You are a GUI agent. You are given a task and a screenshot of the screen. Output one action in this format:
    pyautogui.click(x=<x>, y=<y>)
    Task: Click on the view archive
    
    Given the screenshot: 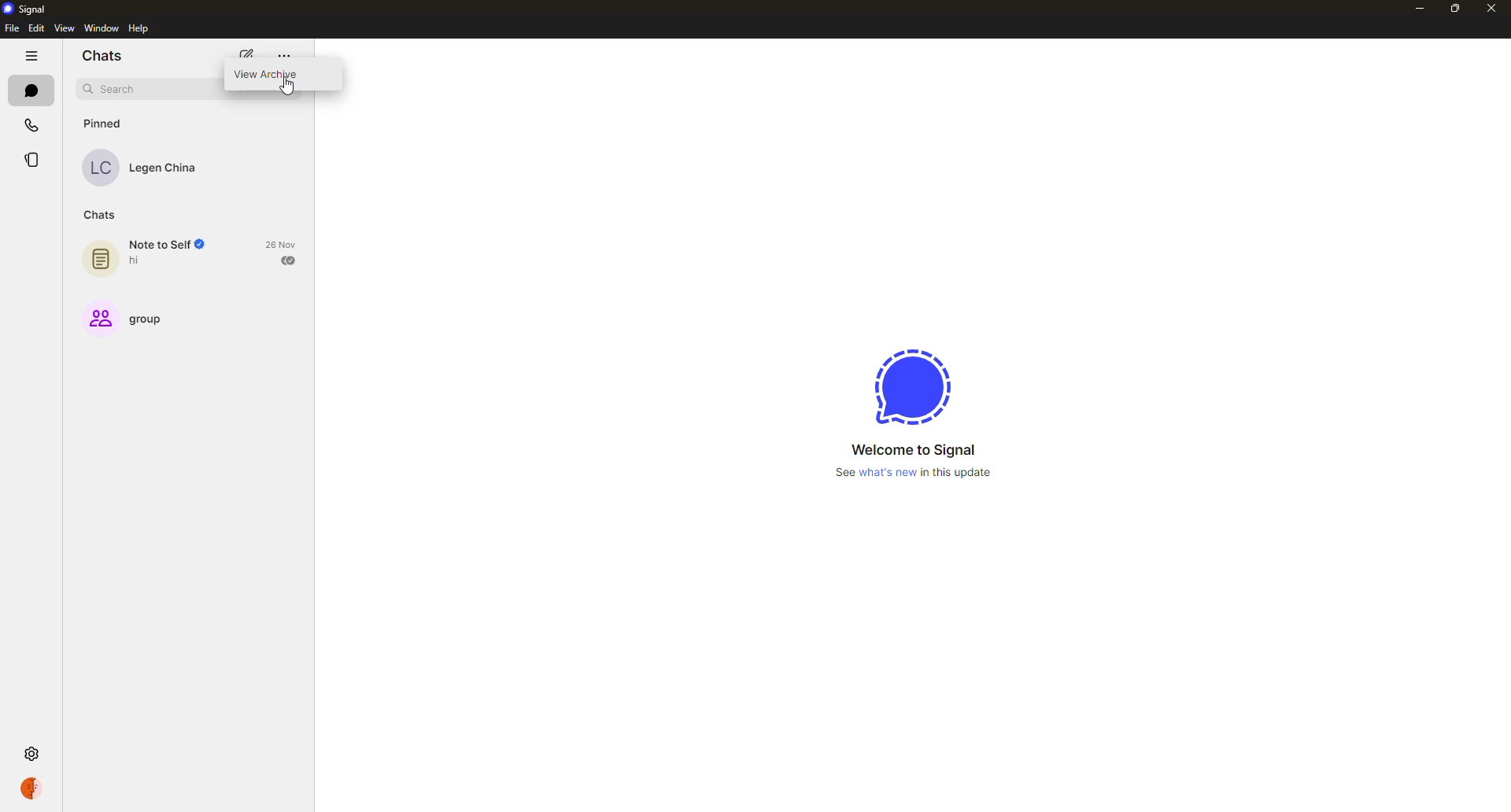 What is the action you would take?
    pyautogui.click(x=270, y=76)
    